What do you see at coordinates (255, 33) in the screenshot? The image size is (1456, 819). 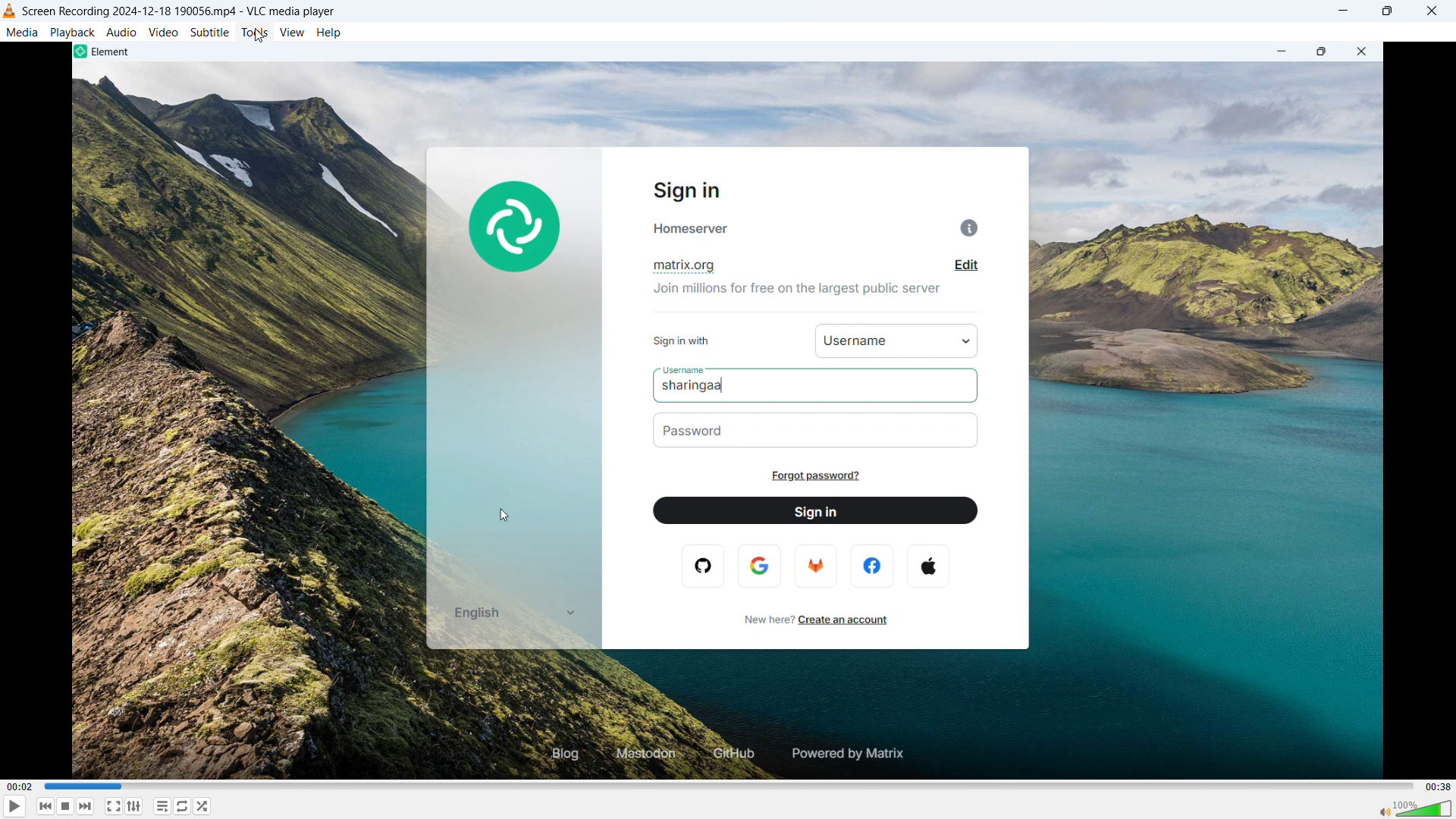 I see `tools` at bounding box center [255, 33].